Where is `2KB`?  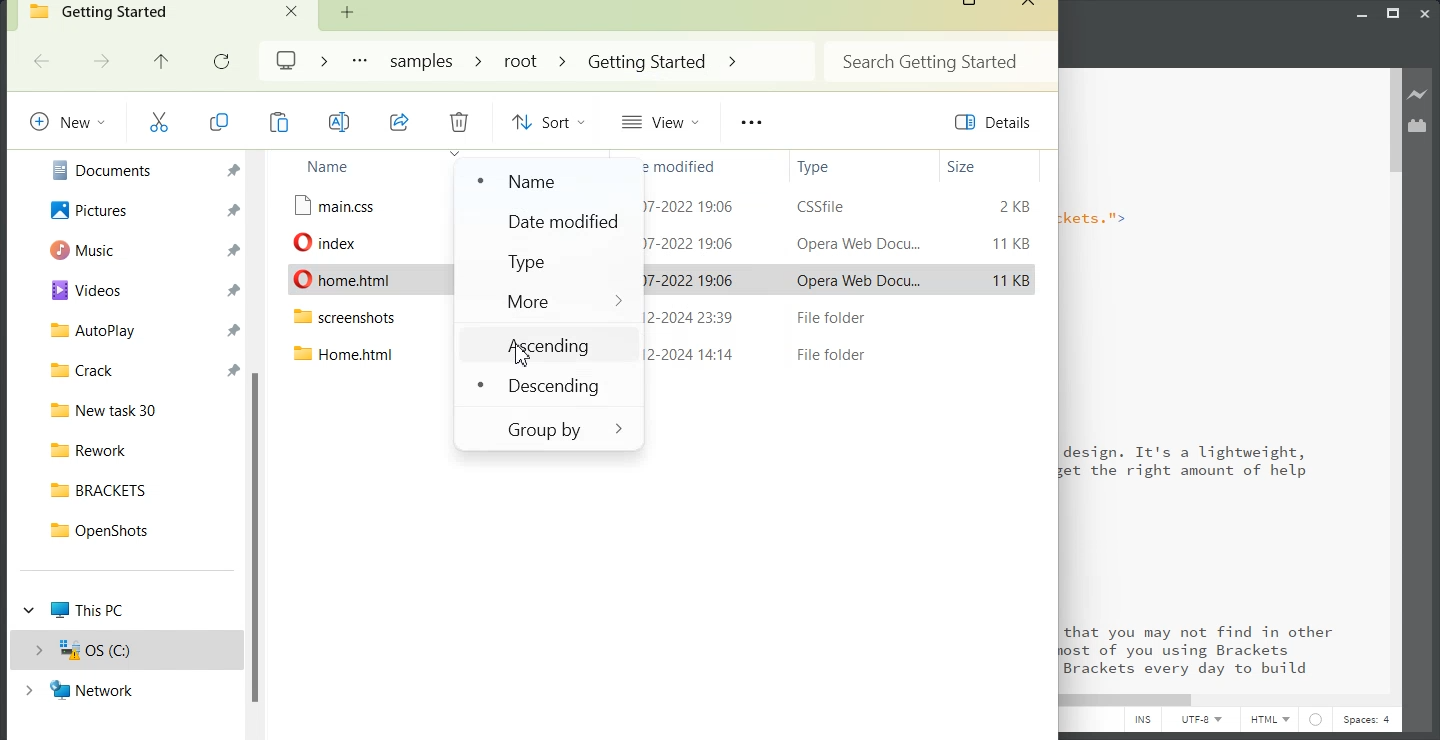
2KB is located at coordinates (1011, 206).